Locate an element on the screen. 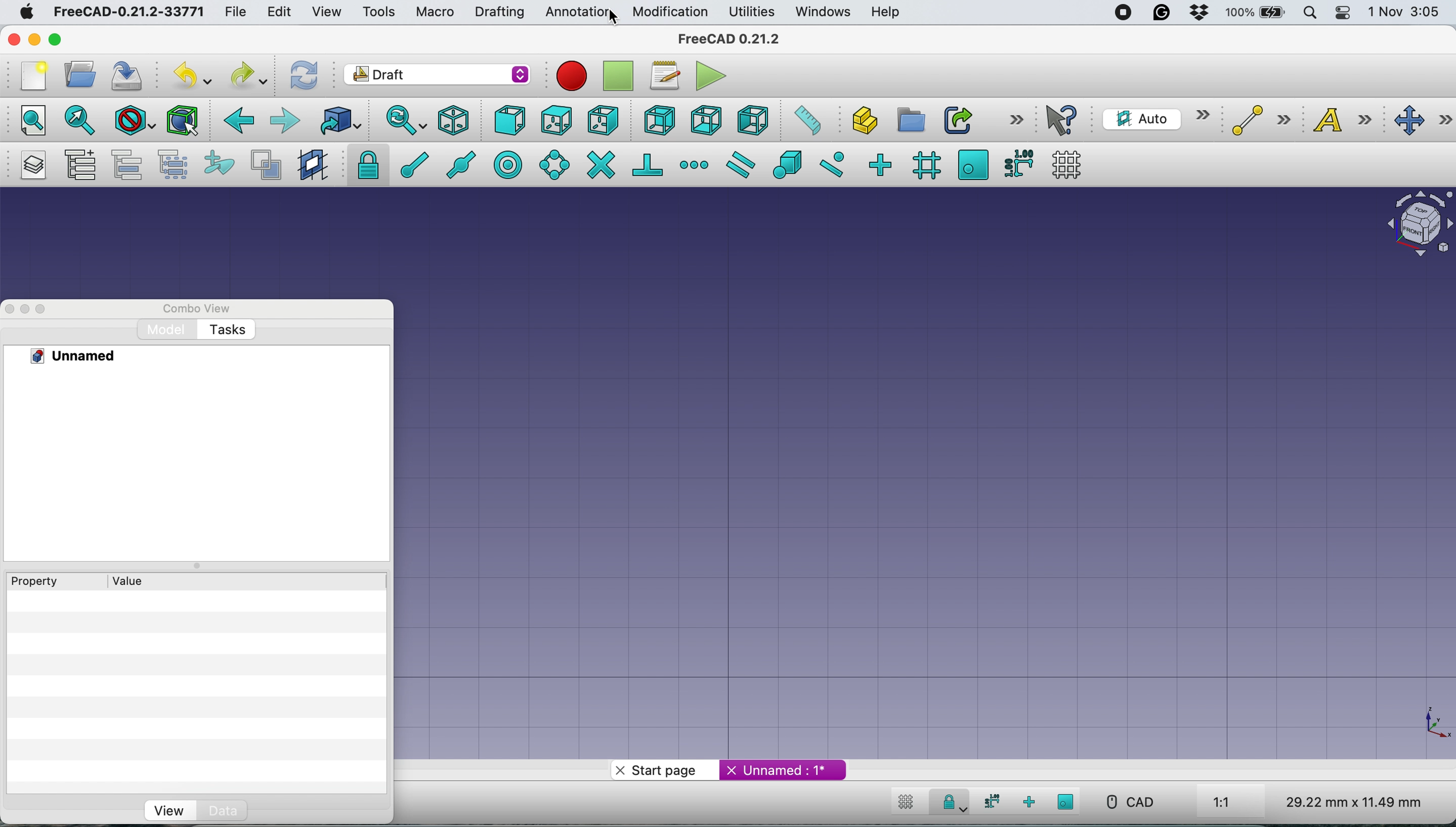 Image resolution: width=1456 pixels, height=827 pixels. maximise is located at coordinates (47, 307).